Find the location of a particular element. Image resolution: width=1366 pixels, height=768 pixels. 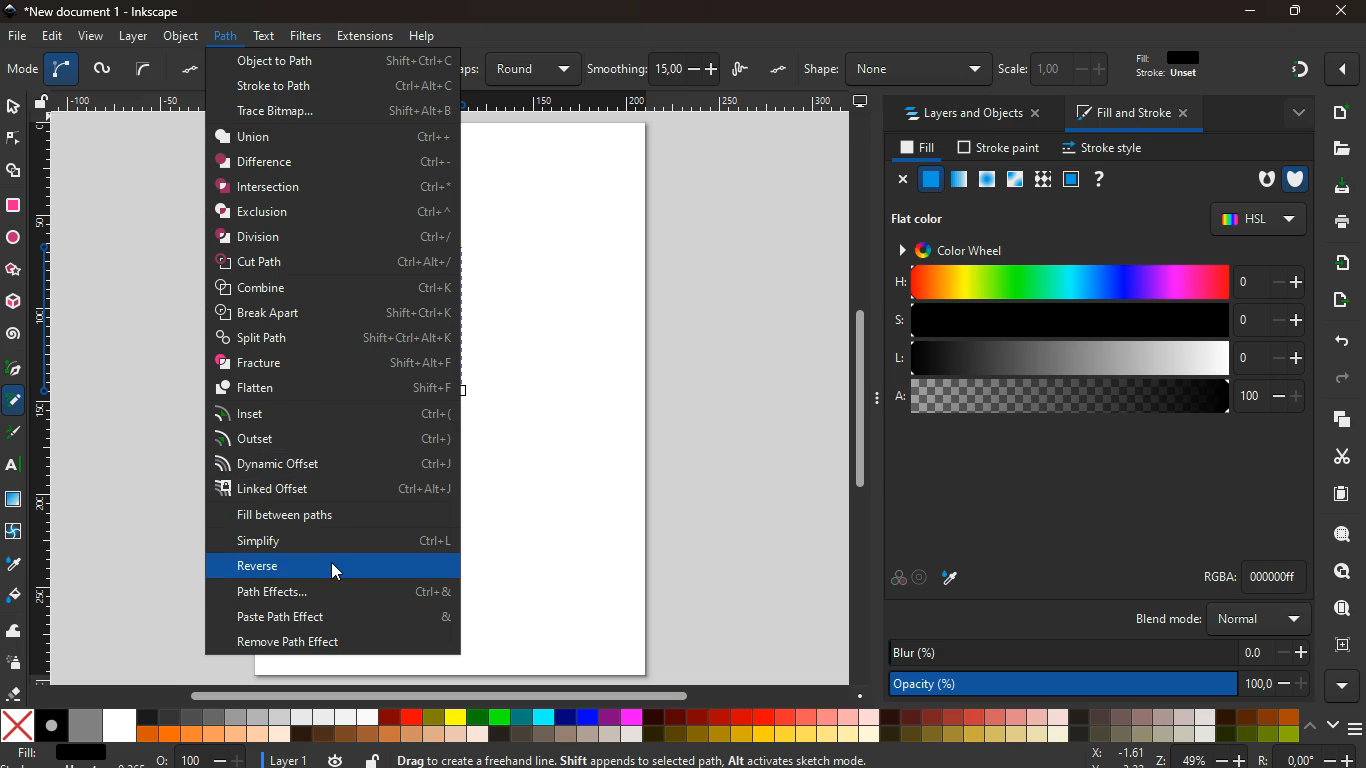

a is located at coordinates (1099, 399).